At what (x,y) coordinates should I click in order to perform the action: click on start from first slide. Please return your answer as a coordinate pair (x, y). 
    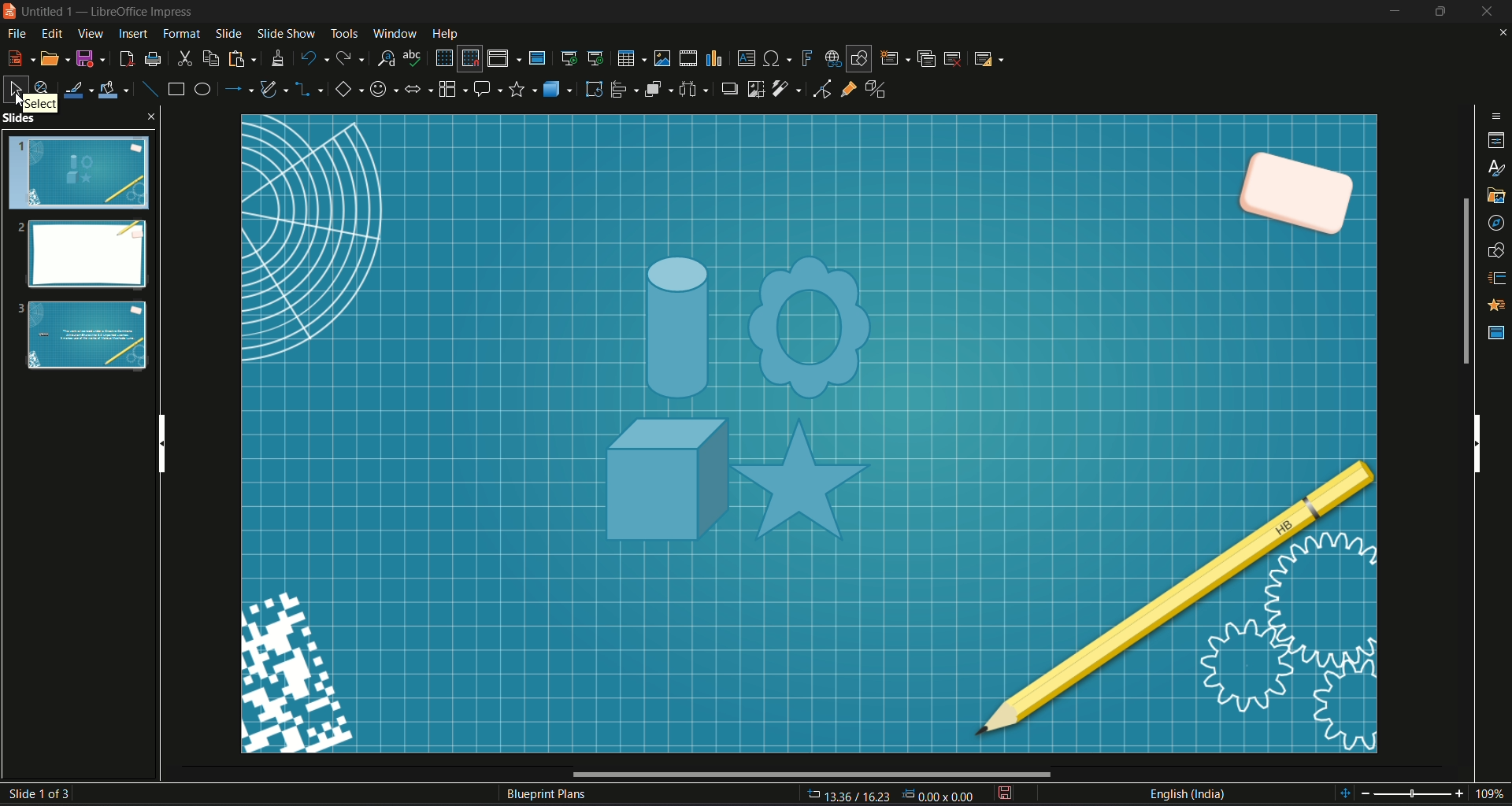
    Looking at the image, I should click on (568, 57).